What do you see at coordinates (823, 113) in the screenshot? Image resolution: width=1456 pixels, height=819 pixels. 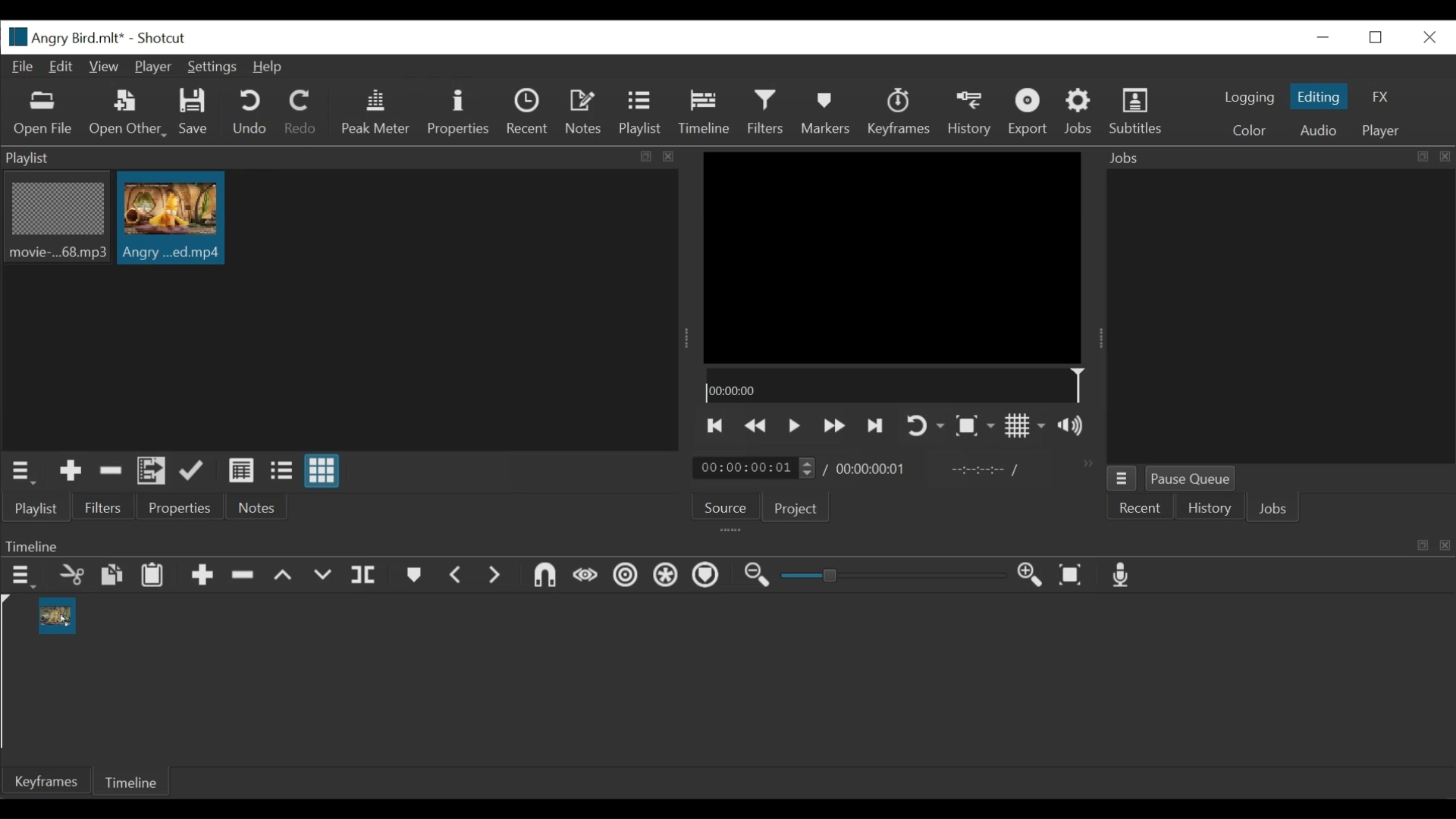 I see `Markers` at bounding box center [823, 113].